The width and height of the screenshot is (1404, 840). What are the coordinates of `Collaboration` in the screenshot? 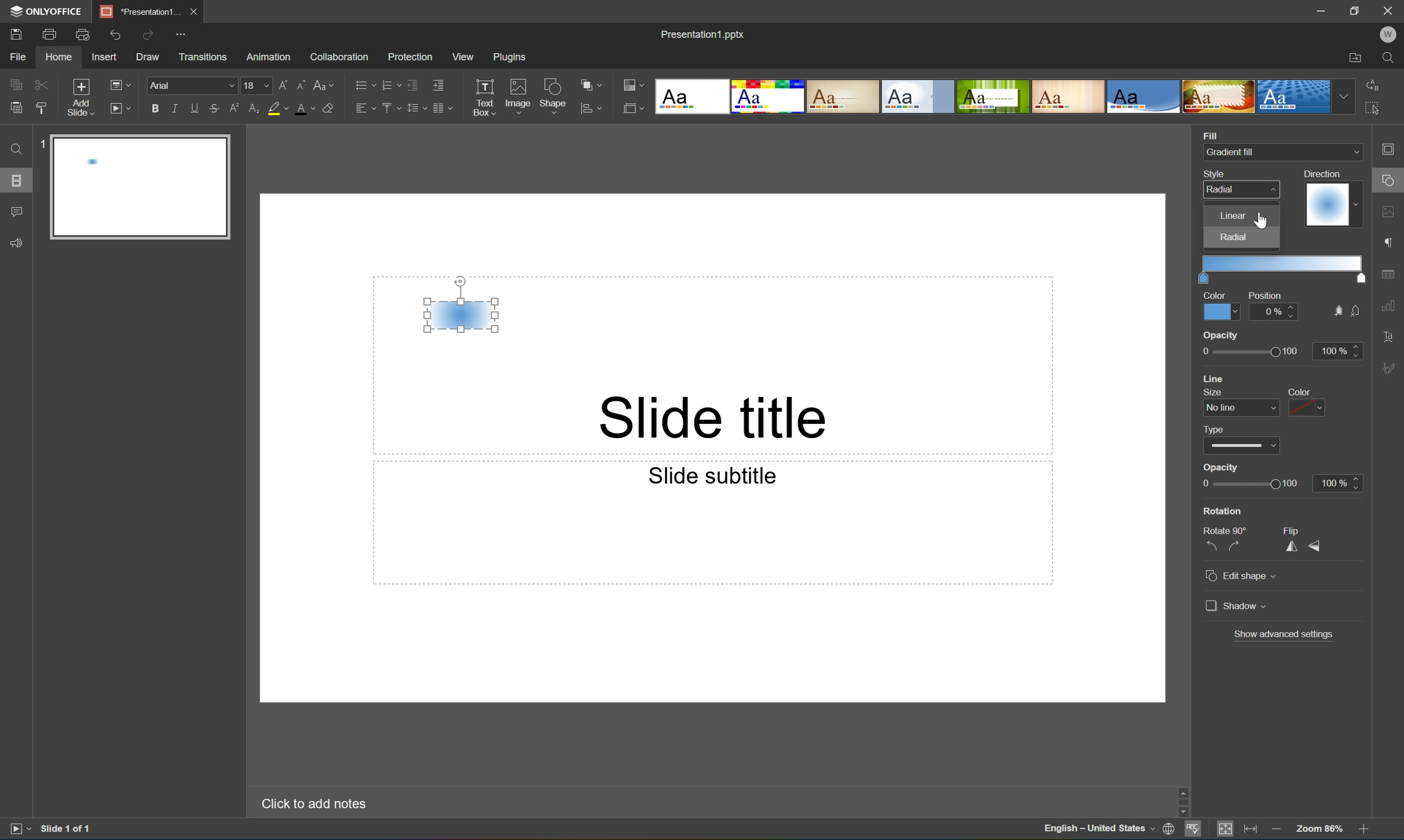 It's located at (337, 56).